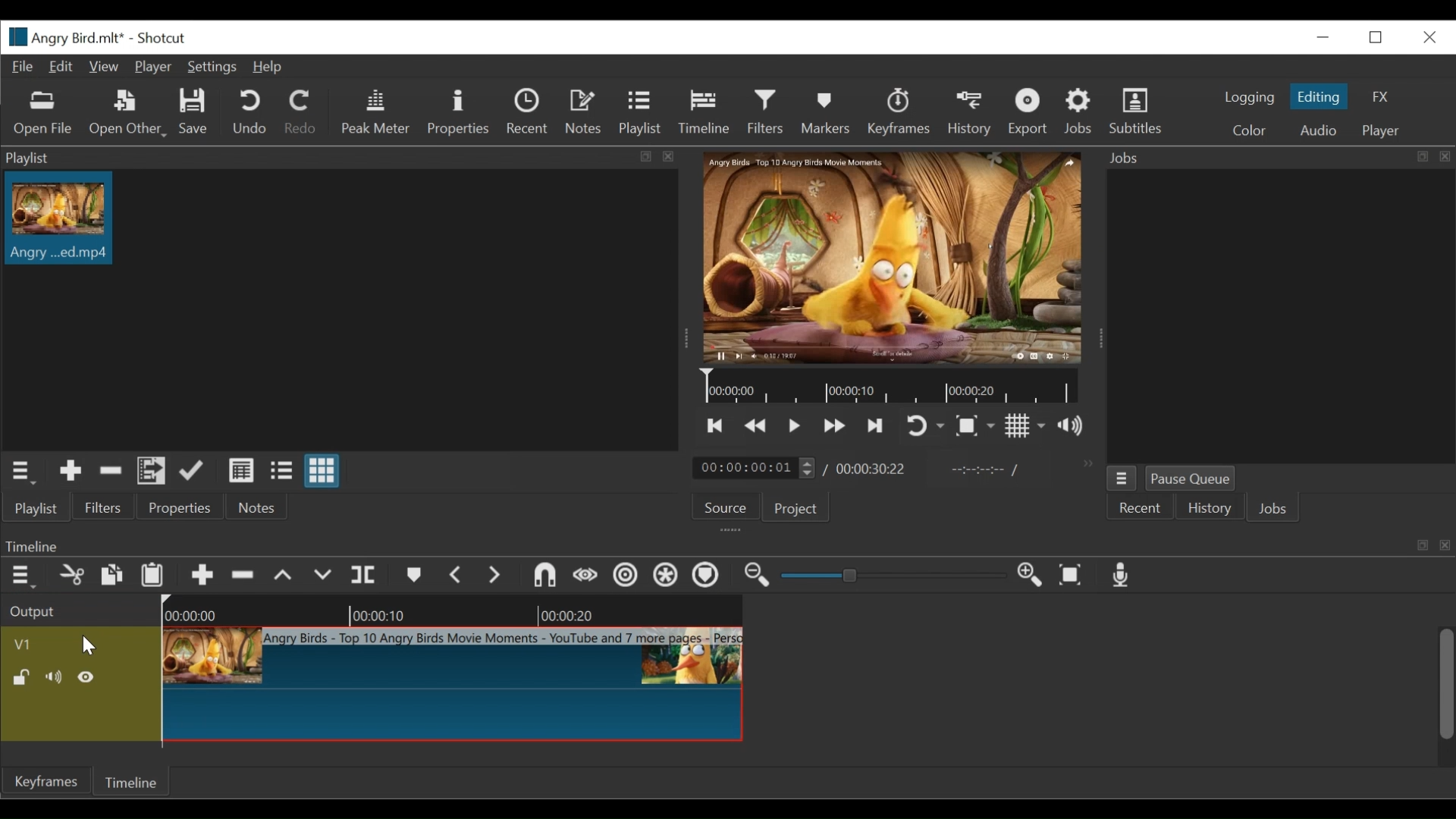 The image size is (1456, 819). What do you see at coordinates (126, 114) in the screenshot?
I see `Open Other` at bounding box center [126, 114].